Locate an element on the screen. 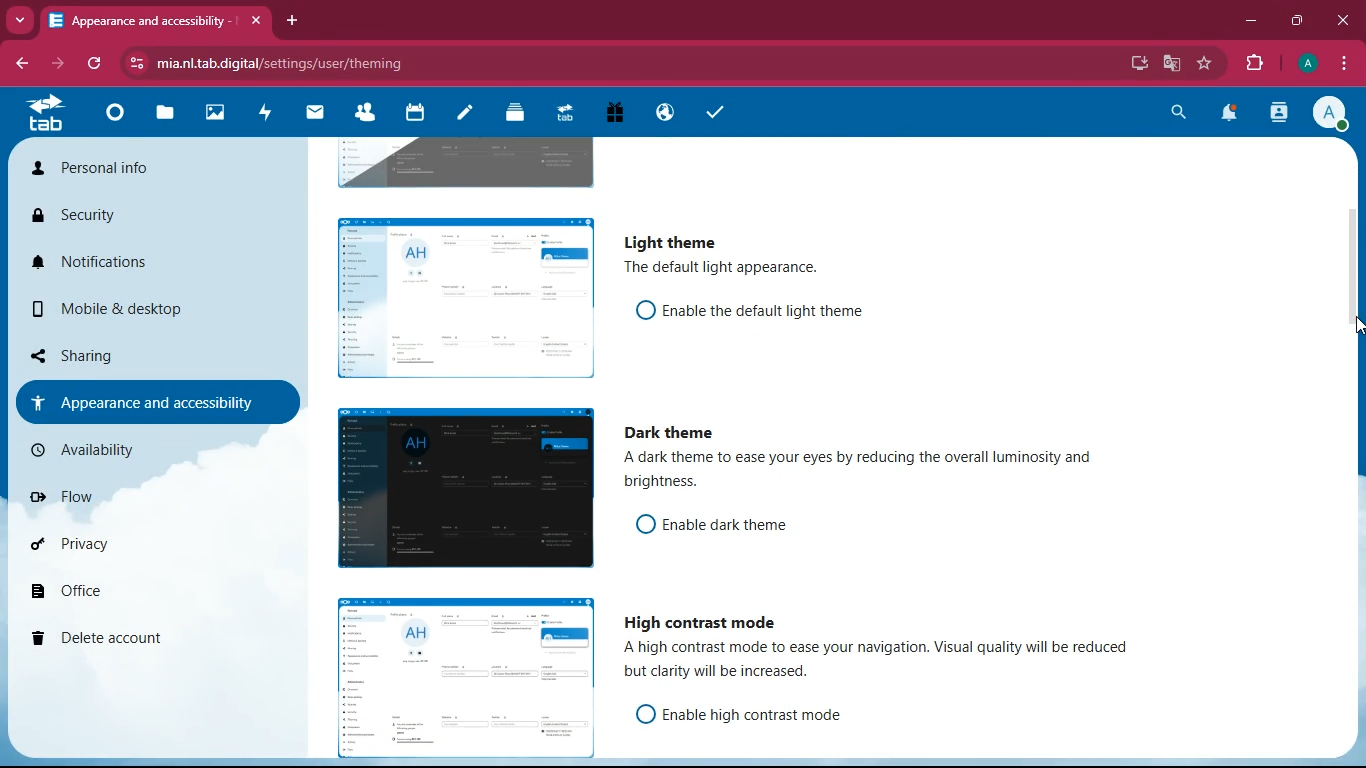 This screenshot has height=768, width=1366. url is located at coordinates (298, 62).